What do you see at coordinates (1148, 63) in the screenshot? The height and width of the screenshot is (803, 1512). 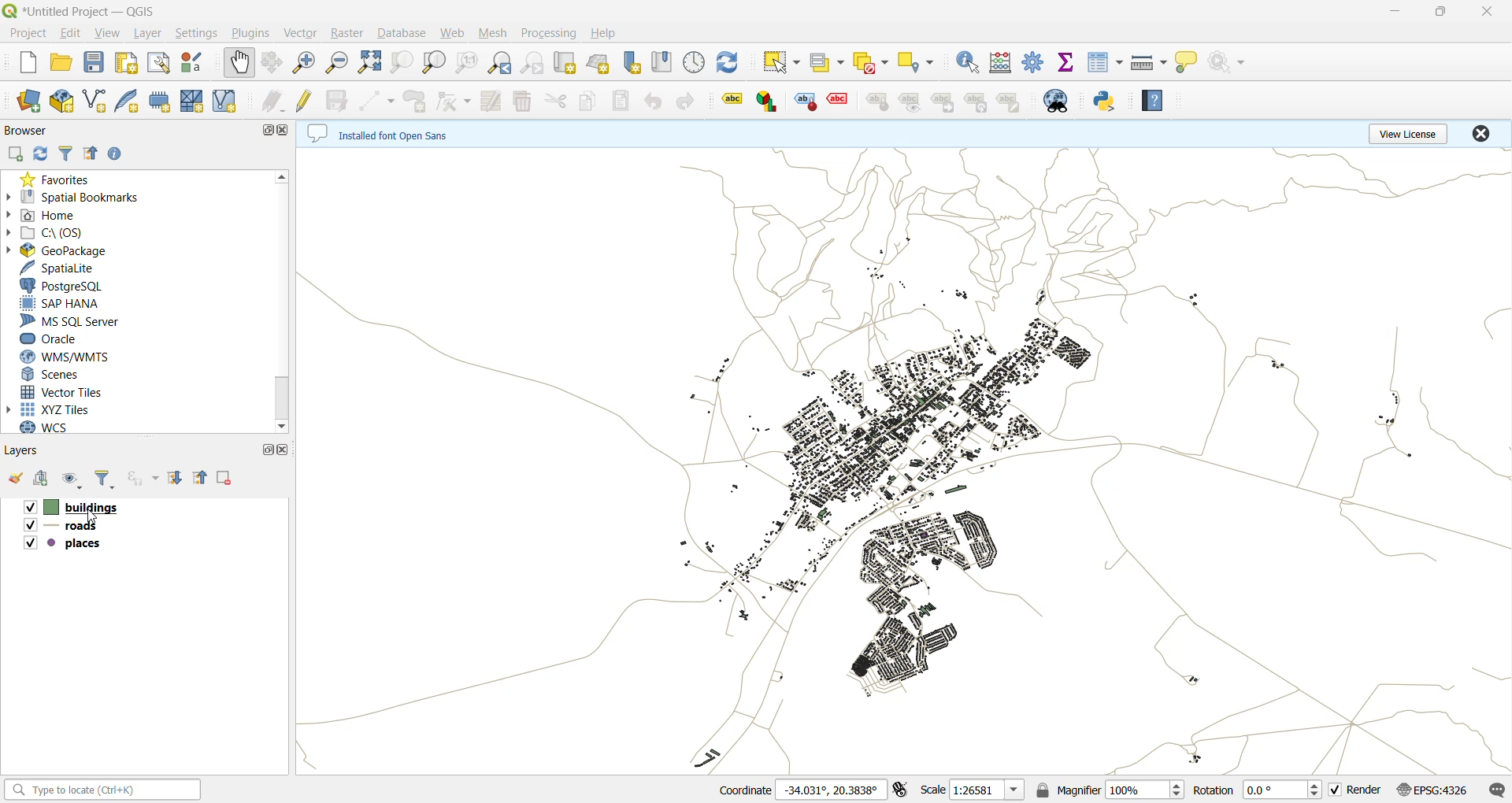 I see `measure line` at bounding box center [1148, 63].